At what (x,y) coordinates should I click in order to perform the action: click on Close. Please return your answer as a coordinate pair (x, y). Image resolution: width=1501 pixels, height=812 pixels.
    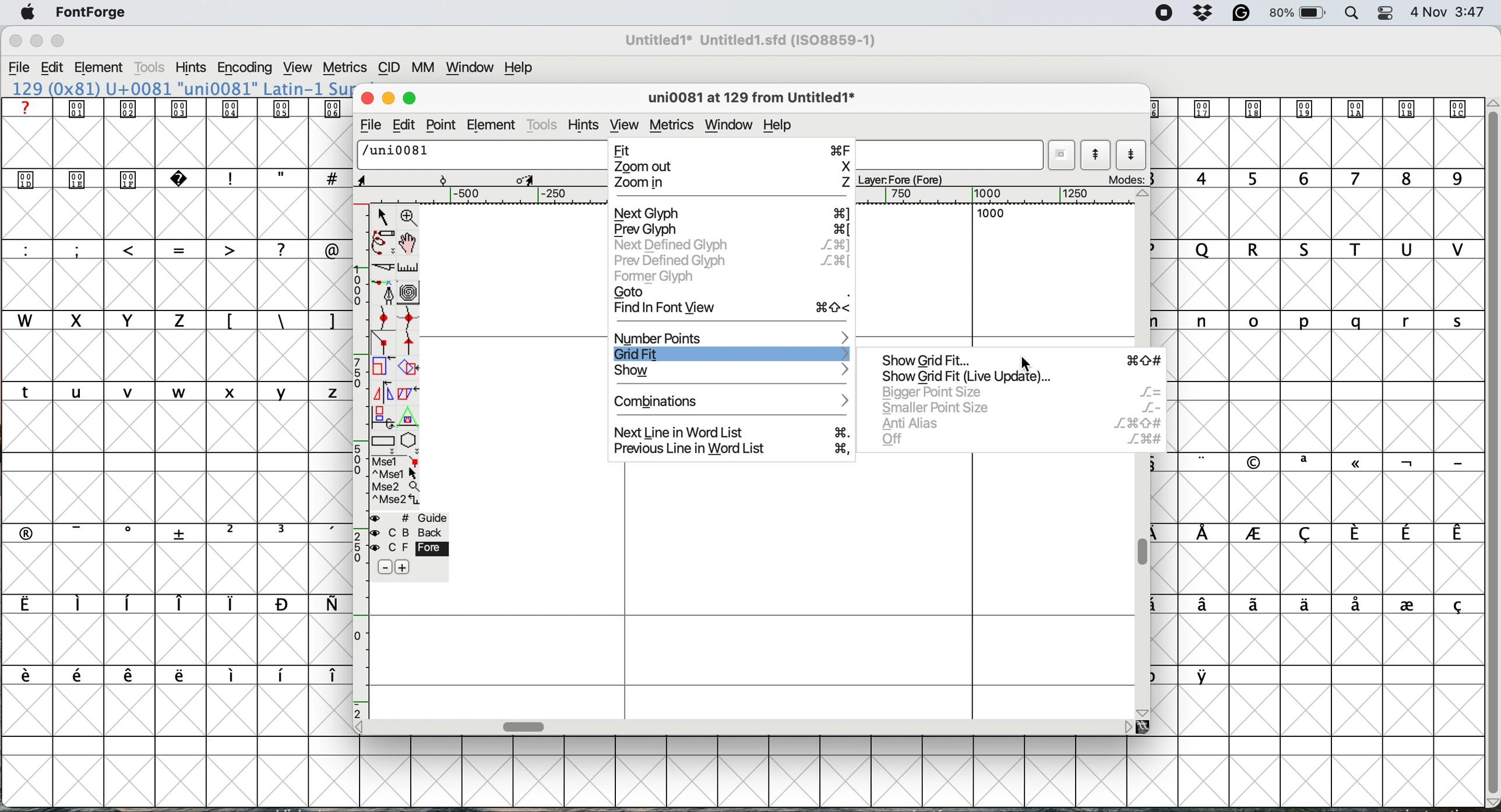
    Looking at the image, I should click on (16, 41).